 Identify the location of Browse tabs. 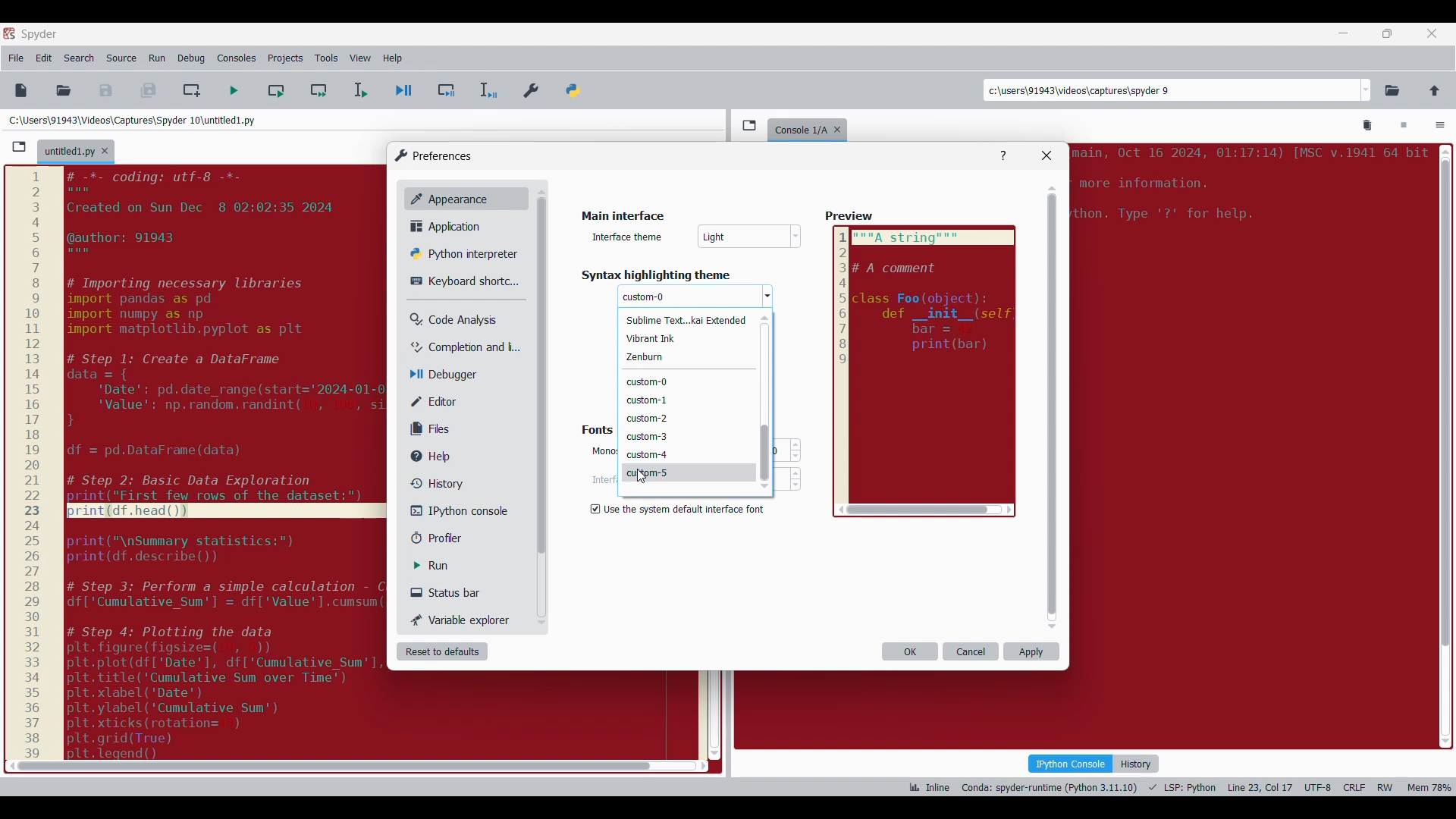
(19, 147).